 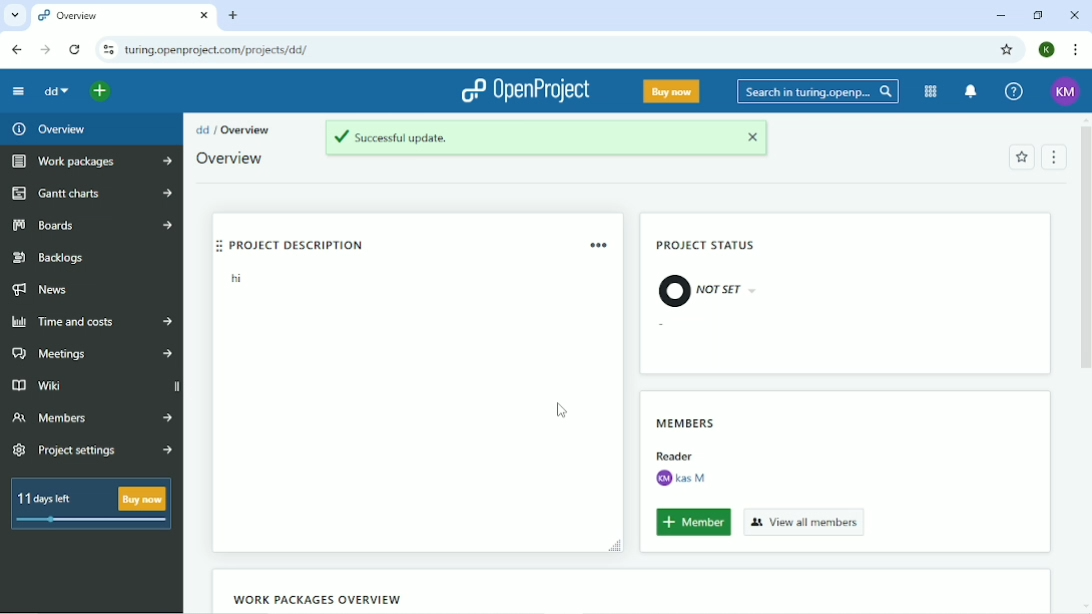 I want to click on Modules, so click(x=930, y=91).